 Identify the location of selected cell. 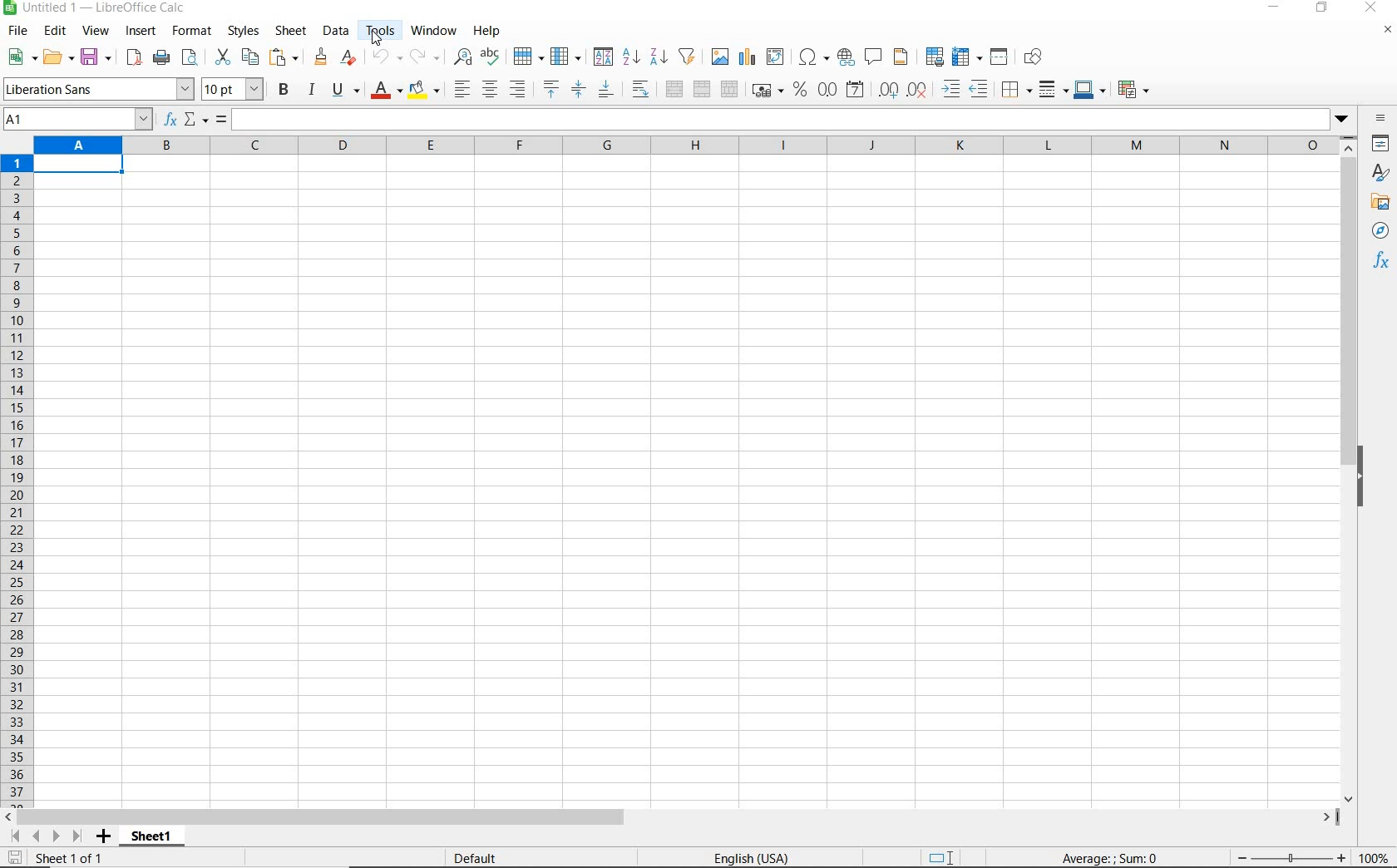
(80, 162).